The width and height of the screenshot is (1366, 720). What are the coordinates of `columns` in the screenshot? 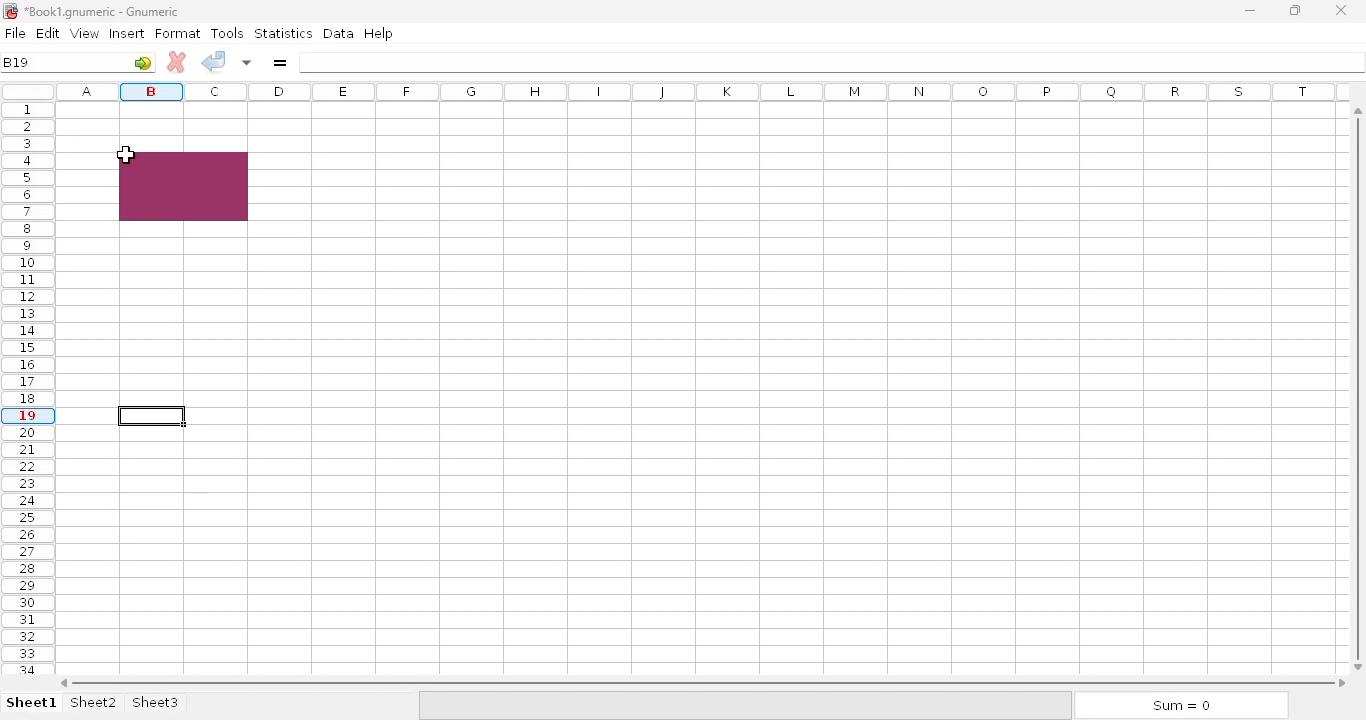 It's located at (706, 91).